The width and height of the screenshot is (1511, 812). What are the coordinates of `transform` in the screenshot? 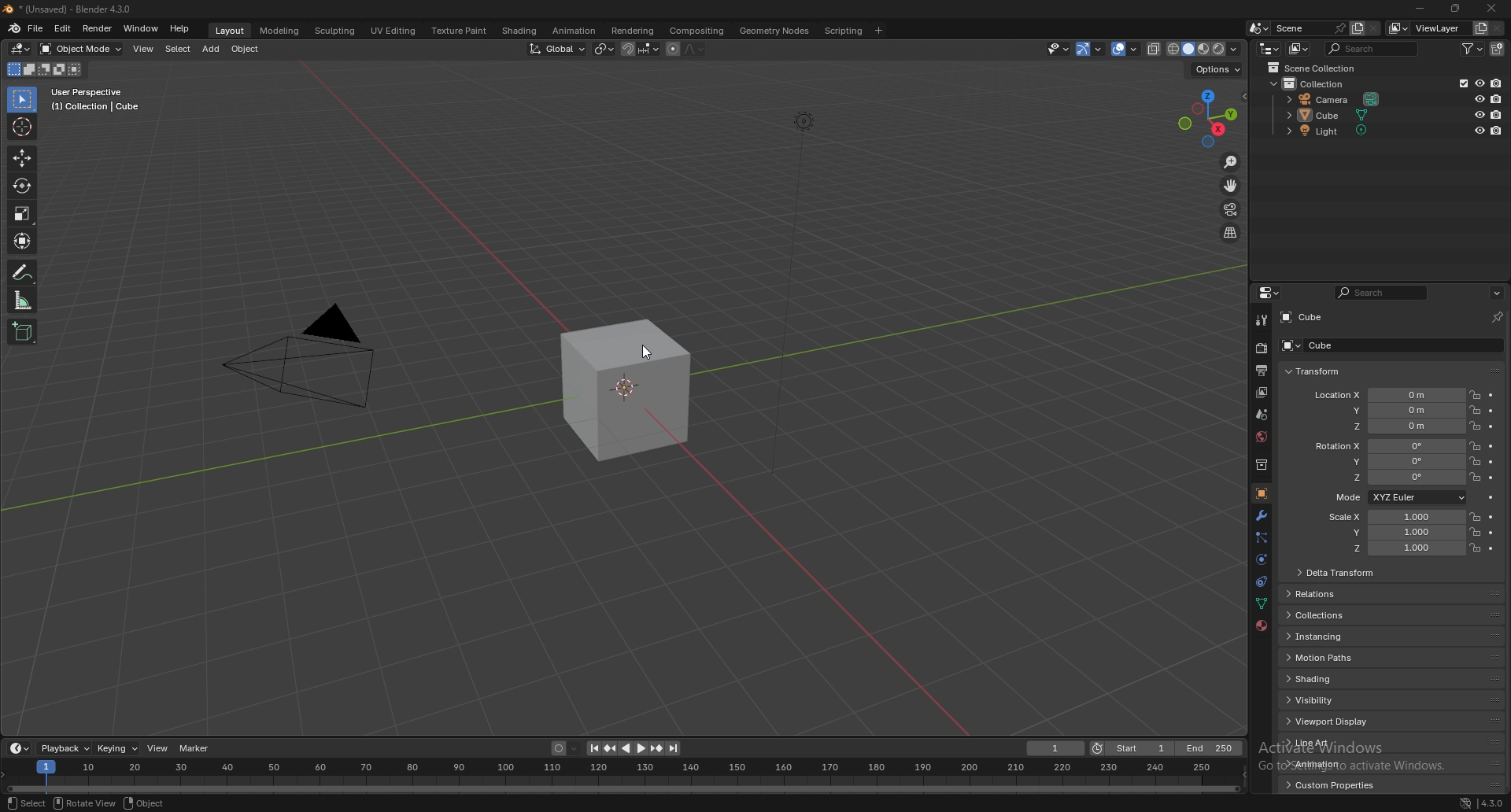 It's located at (1313, 372).